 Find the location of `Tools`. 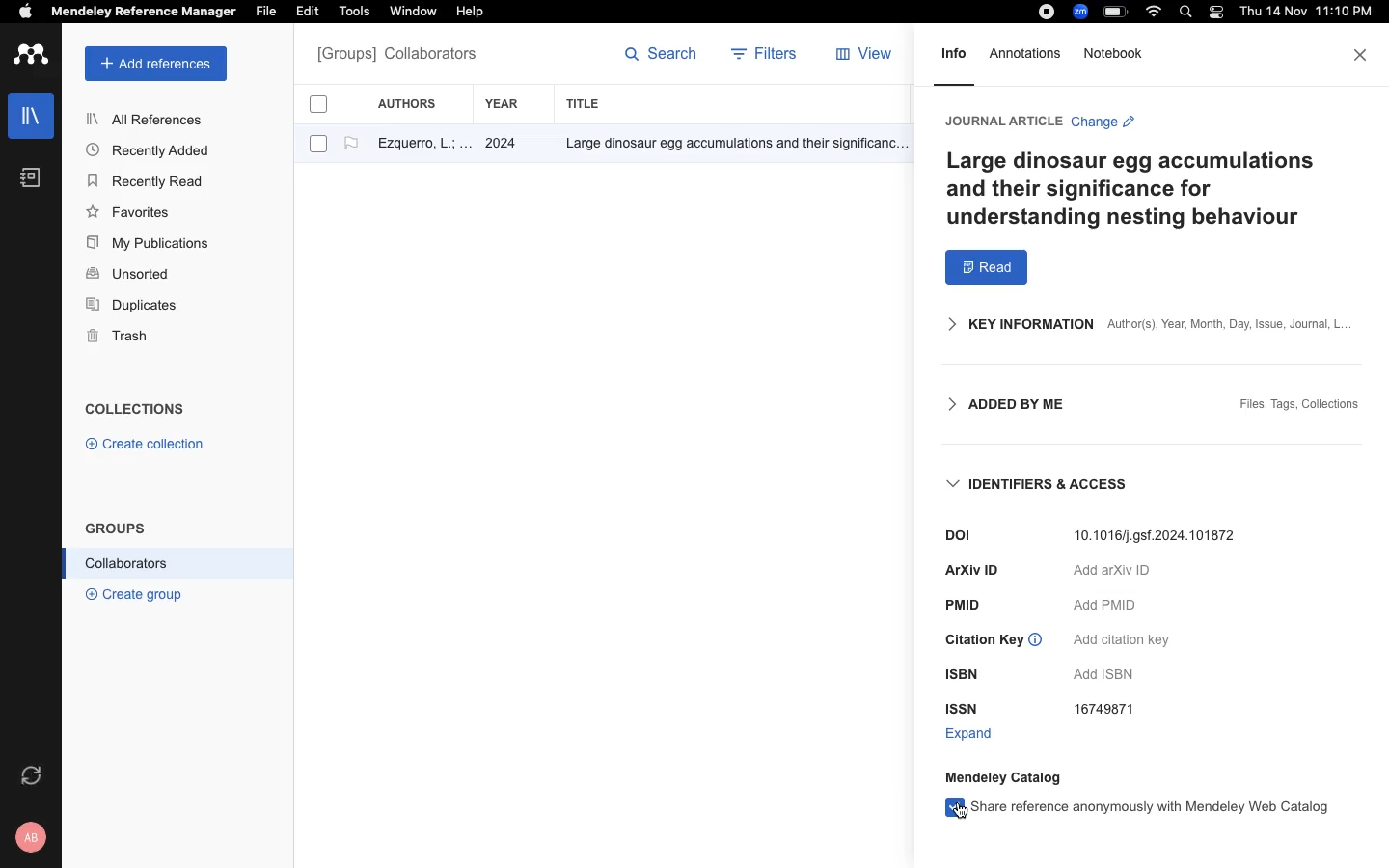

Tools is located at coordinates (354, 13).